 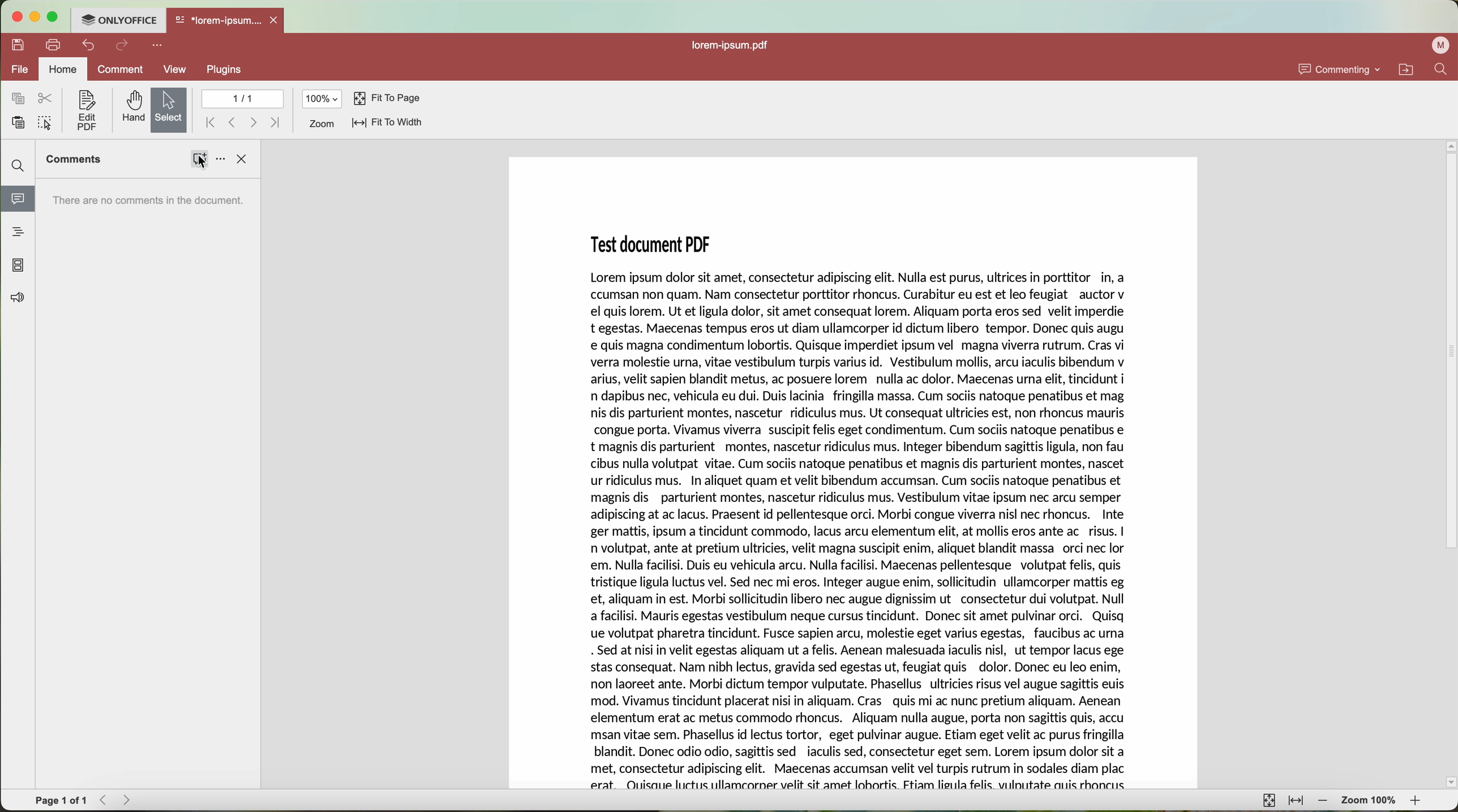 What do you see at coordinates (1370, 801) in the screenshot?
I see `zoom 100%` at bounding box center [1370, 801].